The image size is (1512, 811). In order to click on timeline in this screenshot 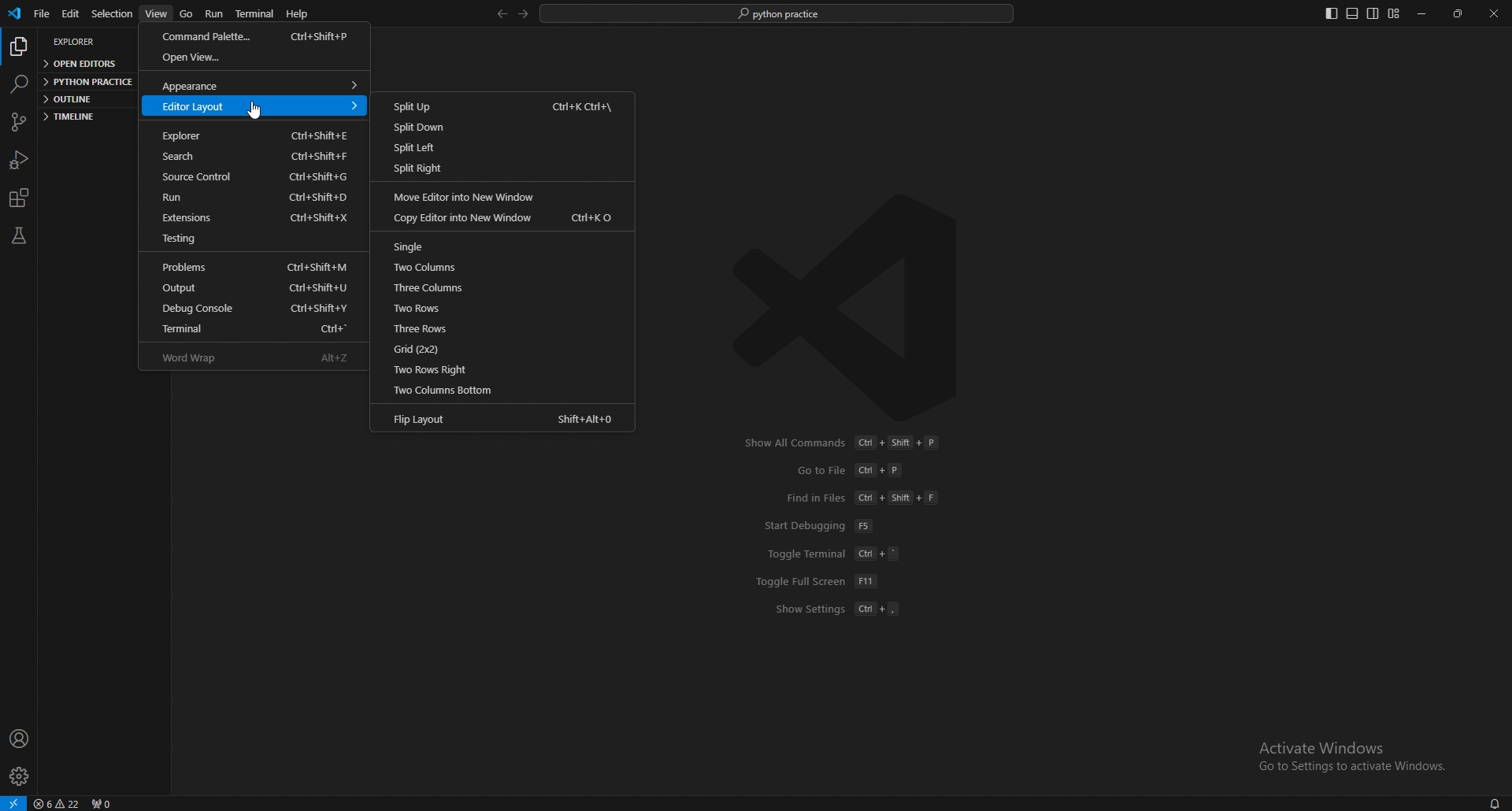, I will do `click(87, 118)`.